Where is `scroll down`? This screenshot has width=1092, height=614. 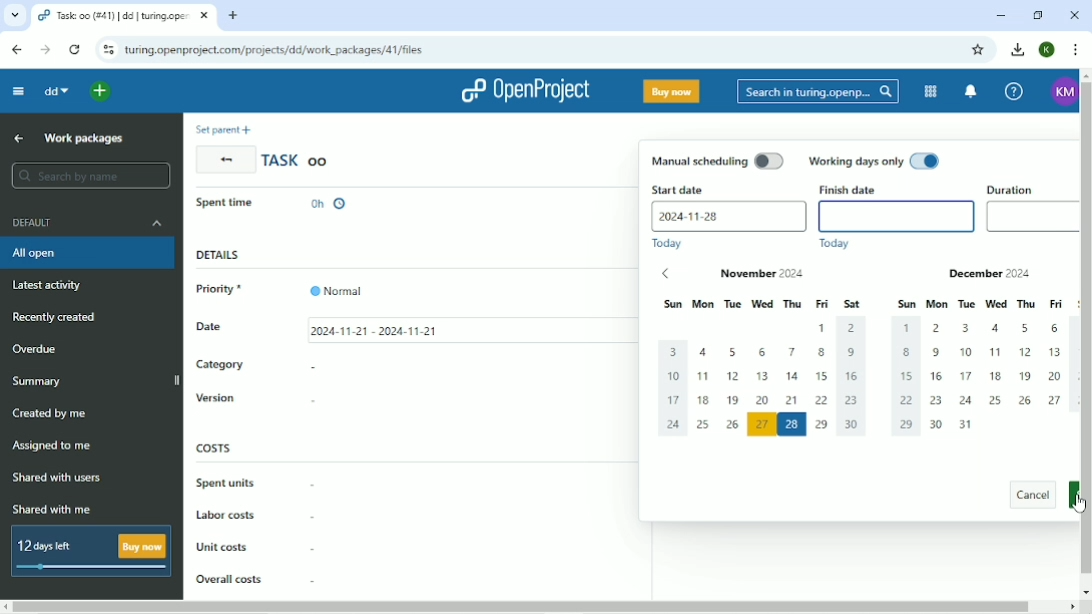
scroll down is located at coordinates (1085, 590).